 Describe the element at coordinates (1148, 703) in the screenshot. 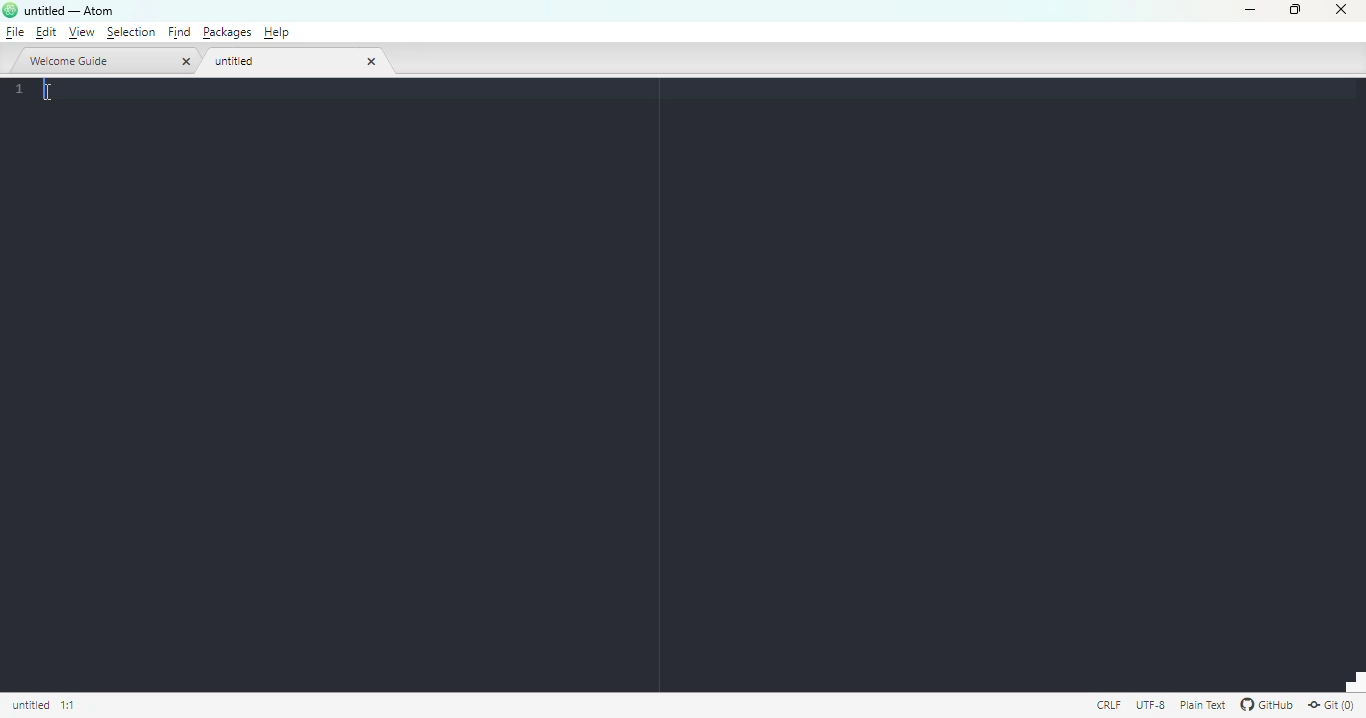

I see `this file uses UTF-8 encoding` at that location.